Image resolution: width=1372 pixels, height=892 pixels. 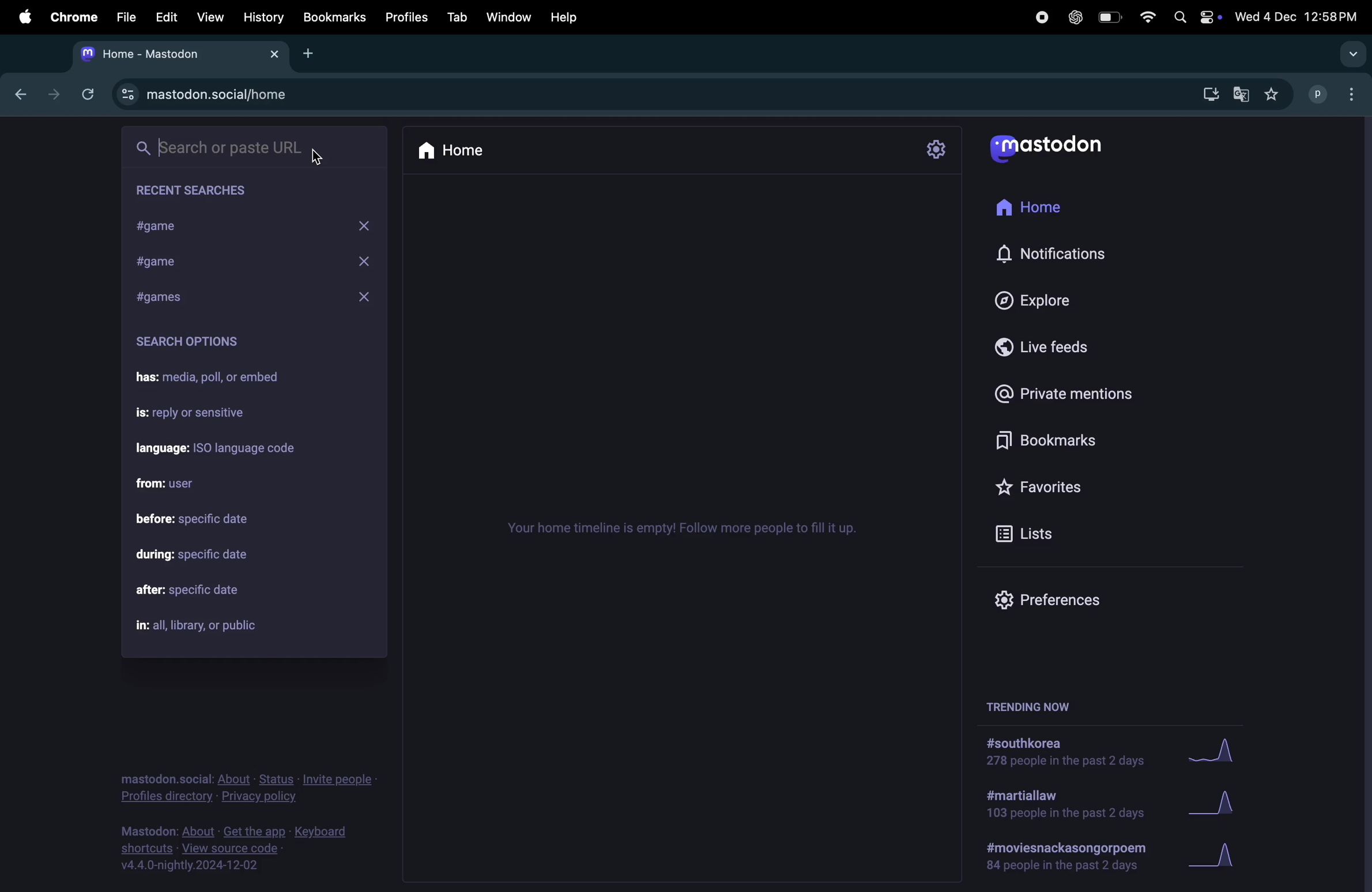 I want to click on Profiles, so click(x=409, y=17).